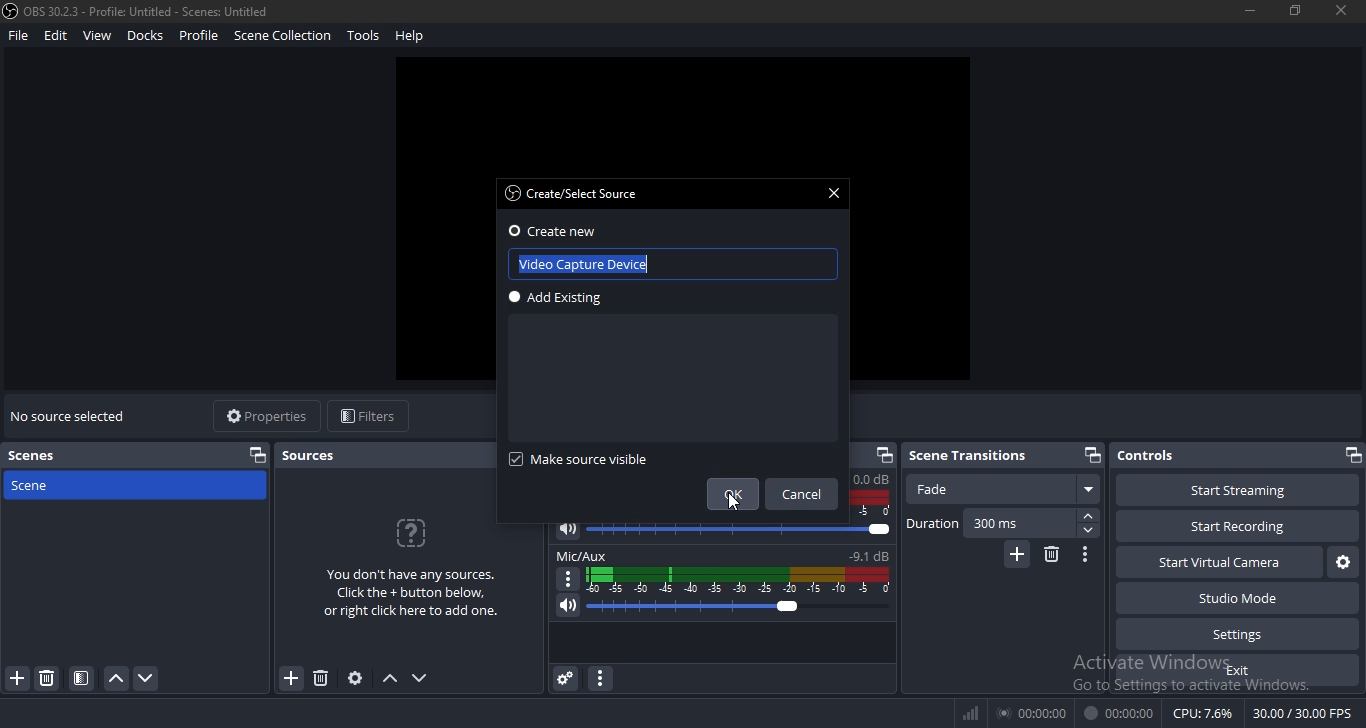 This screenshot has height=728, width=1366. I want to click on create new, so click(557, 231).